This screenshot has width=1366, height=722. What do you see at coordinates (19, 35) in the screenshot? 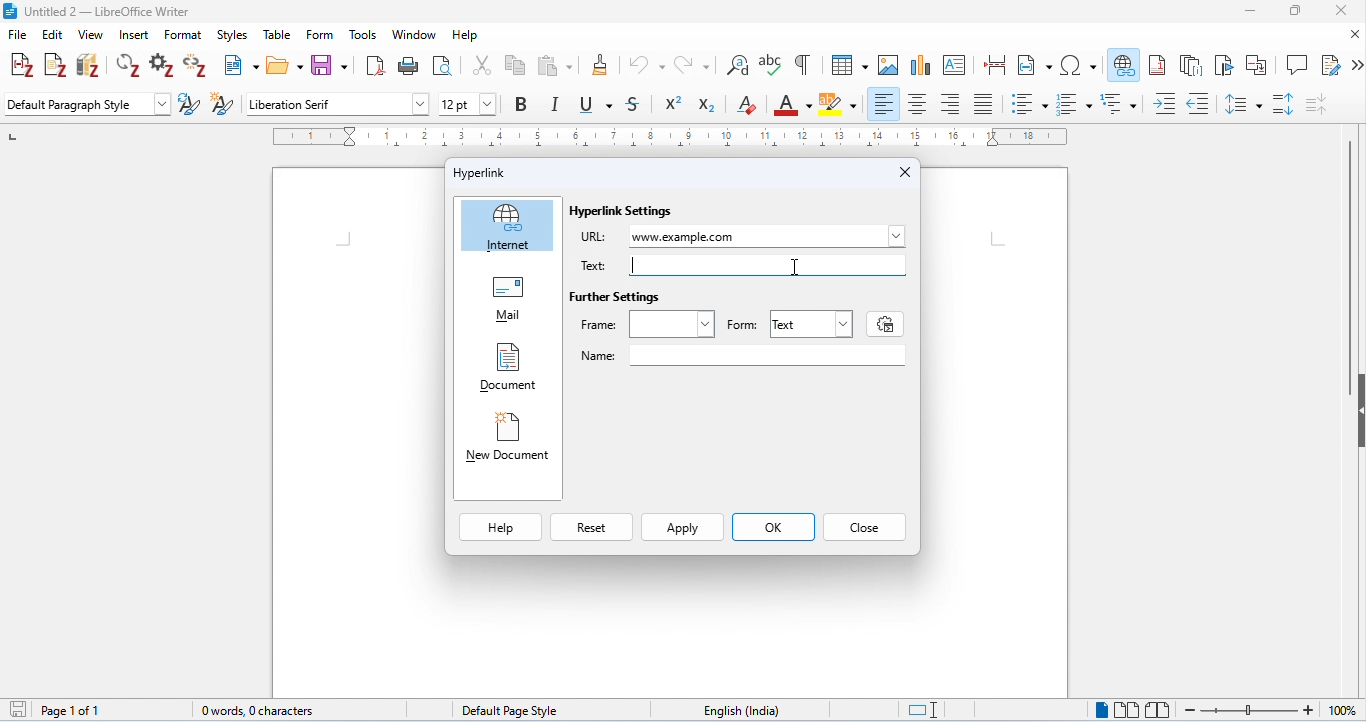
I see `file` at bounding box center [19, 35].